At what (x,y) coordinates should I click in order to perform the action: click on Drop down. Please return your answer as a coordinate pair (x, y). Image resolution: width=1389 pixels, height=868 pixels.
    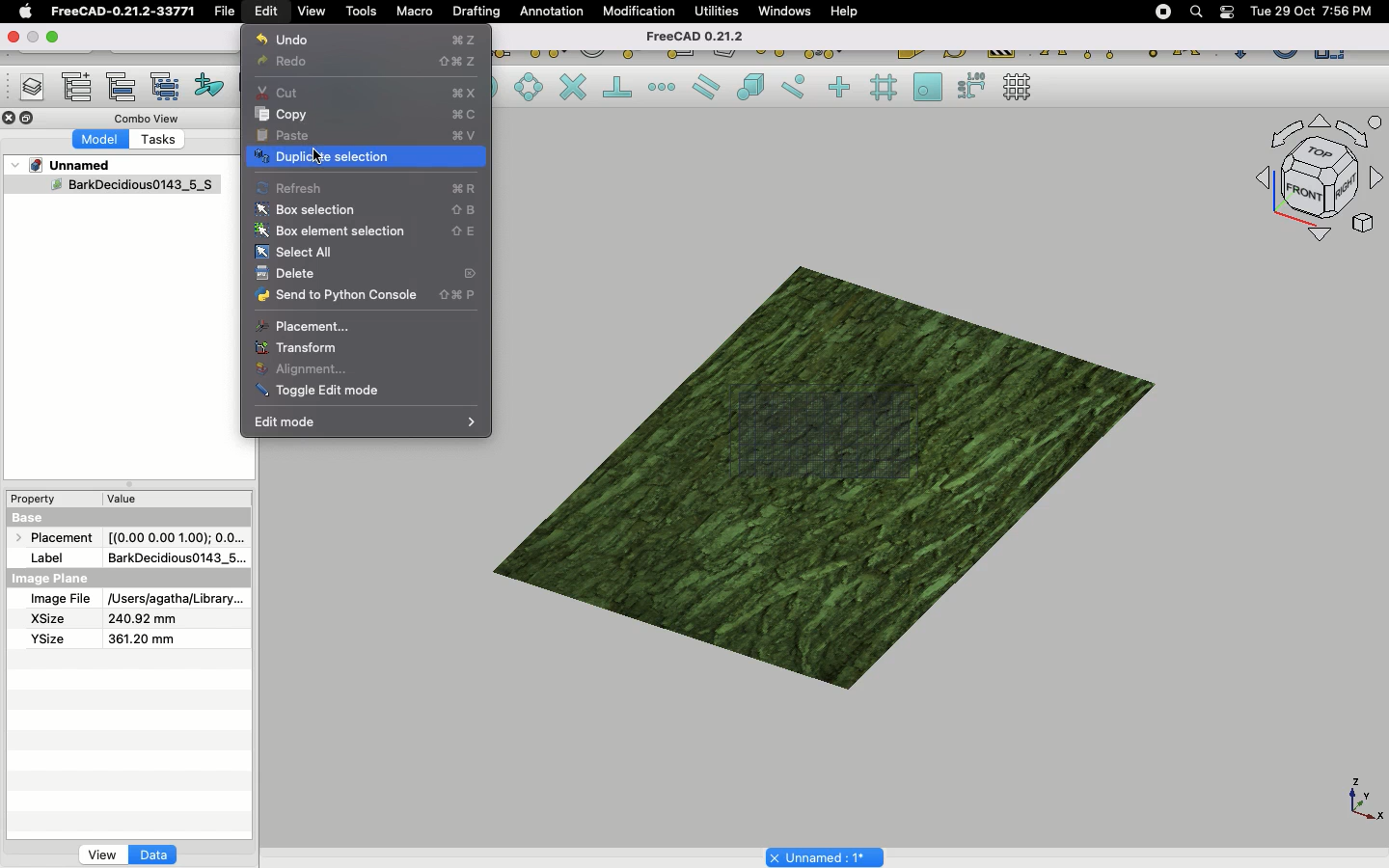
    Looking at the image, I should click on (16, 165).